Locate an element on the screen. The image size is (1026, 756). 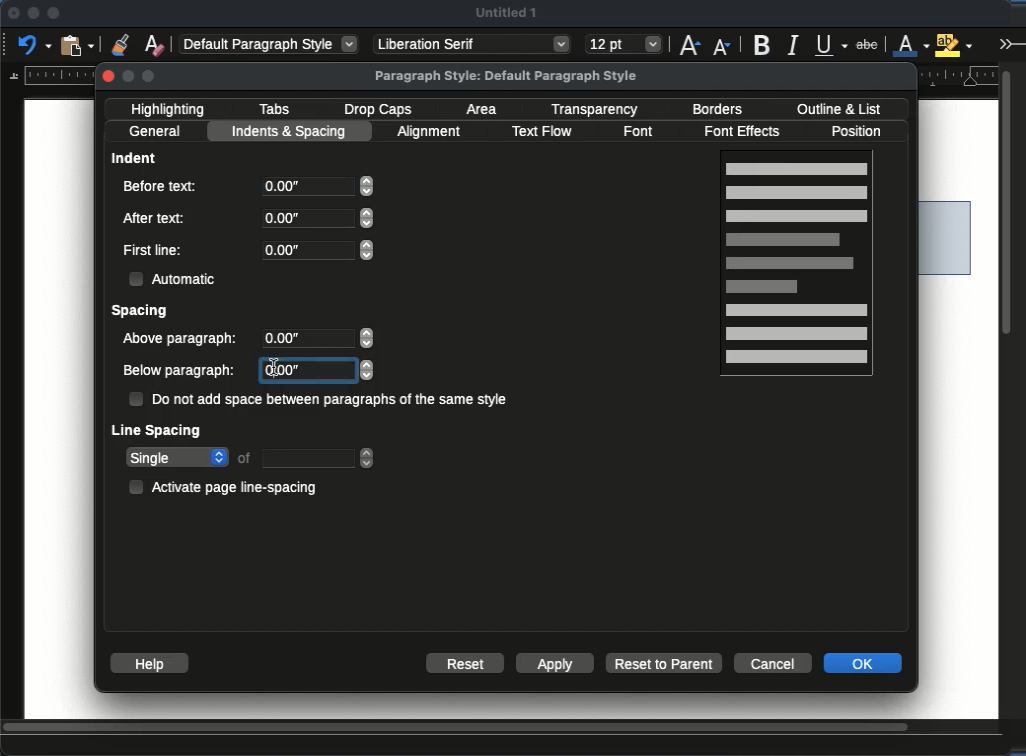
highlight color is located at coordinates (954, 43).